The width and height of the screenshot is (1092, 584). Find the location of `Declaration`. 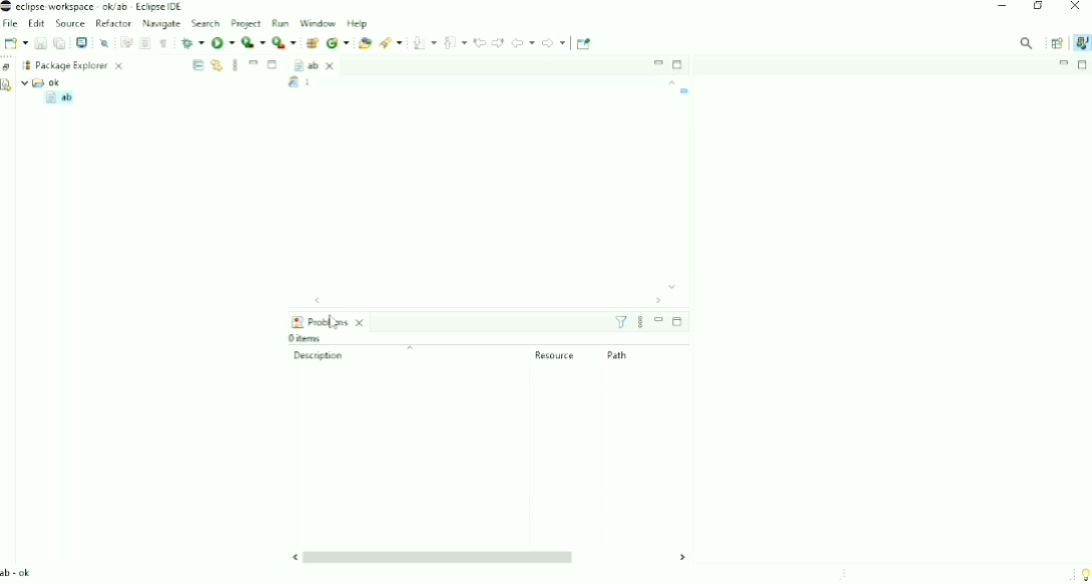

Declaration is located at coordinates (9, 87).